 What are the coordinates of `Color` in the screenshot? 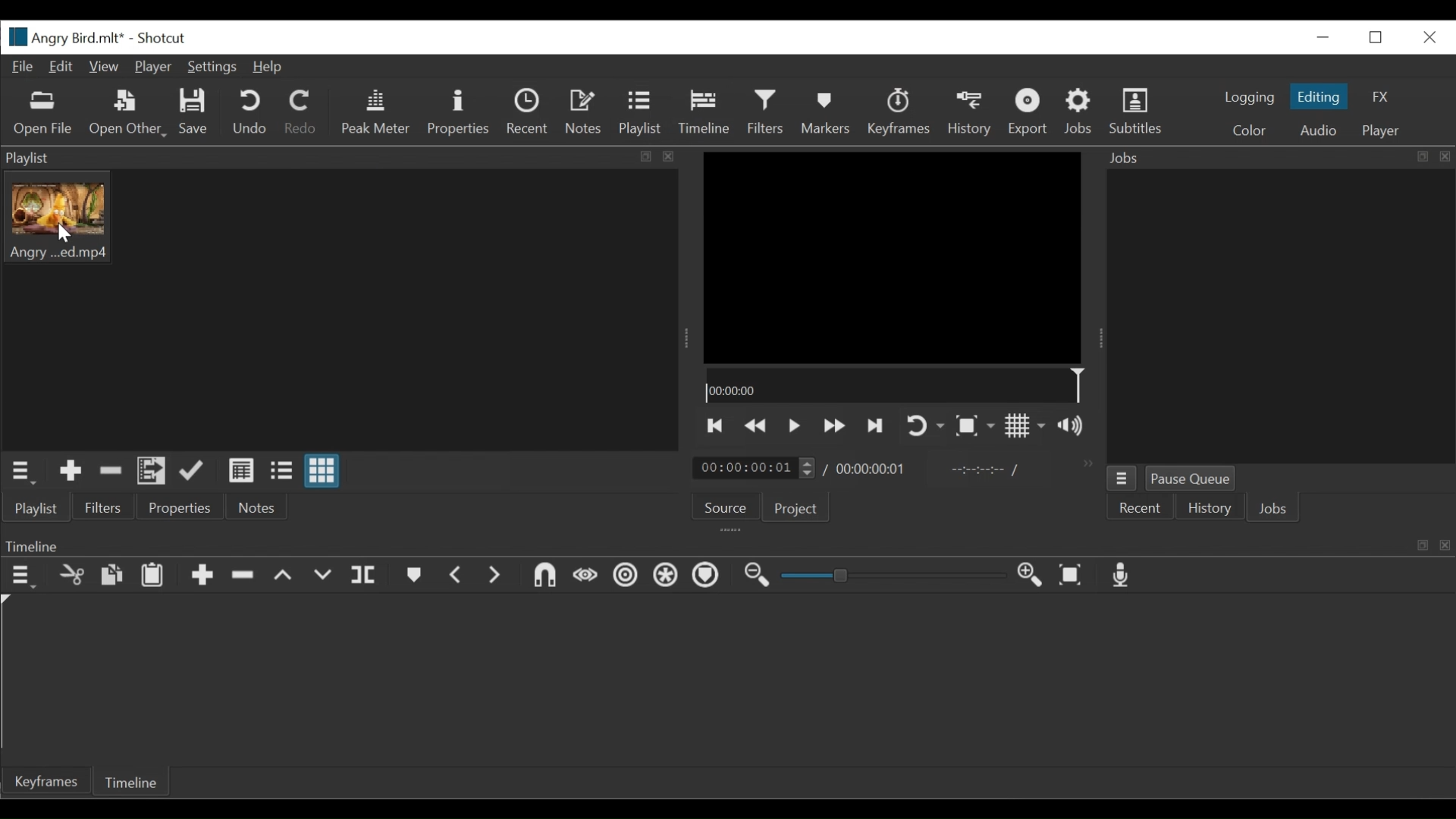 It's located at (1249, 129).